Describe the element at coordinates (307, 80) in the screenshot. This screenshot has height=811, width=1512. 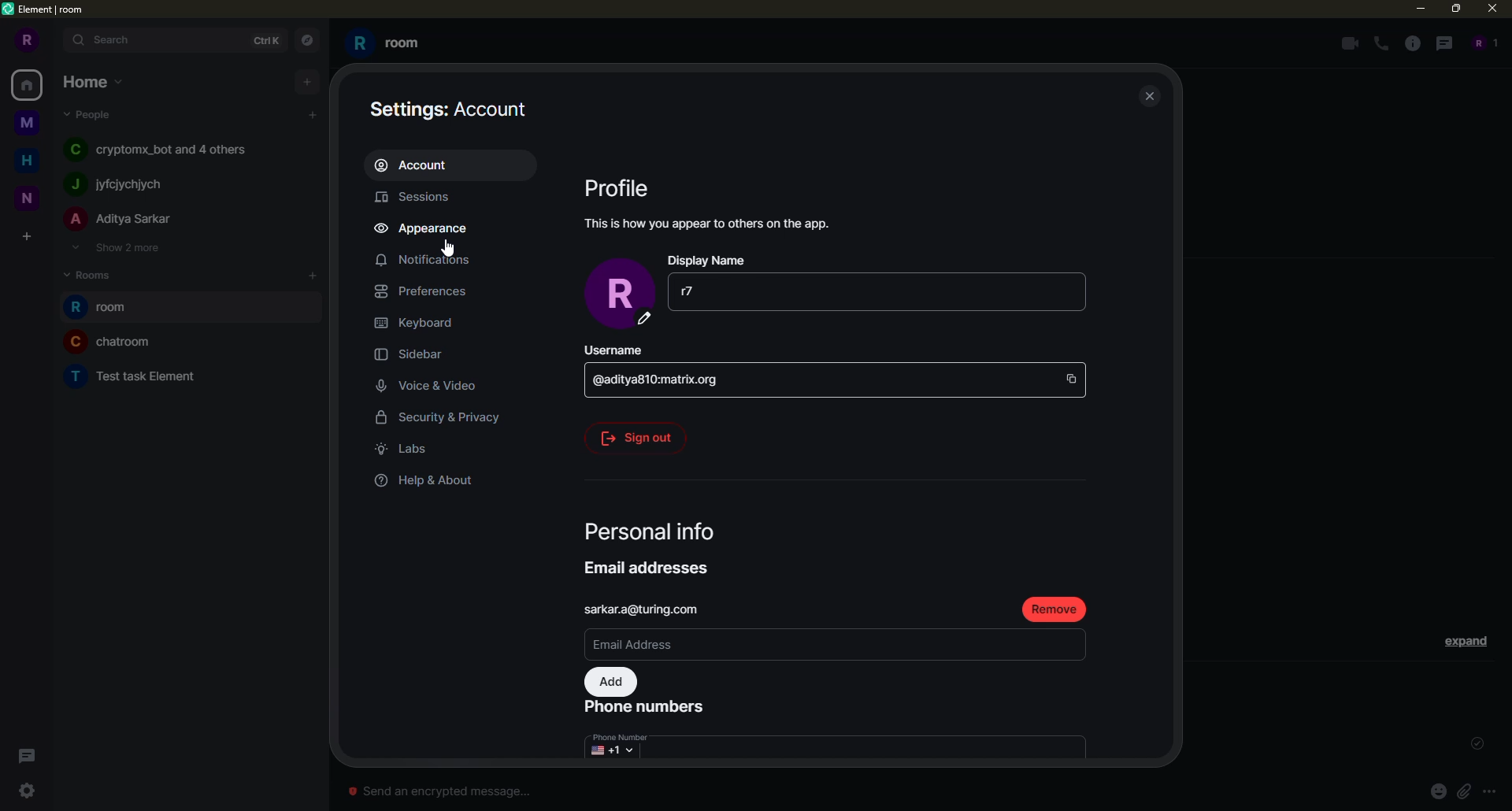
I see `add` at that location.